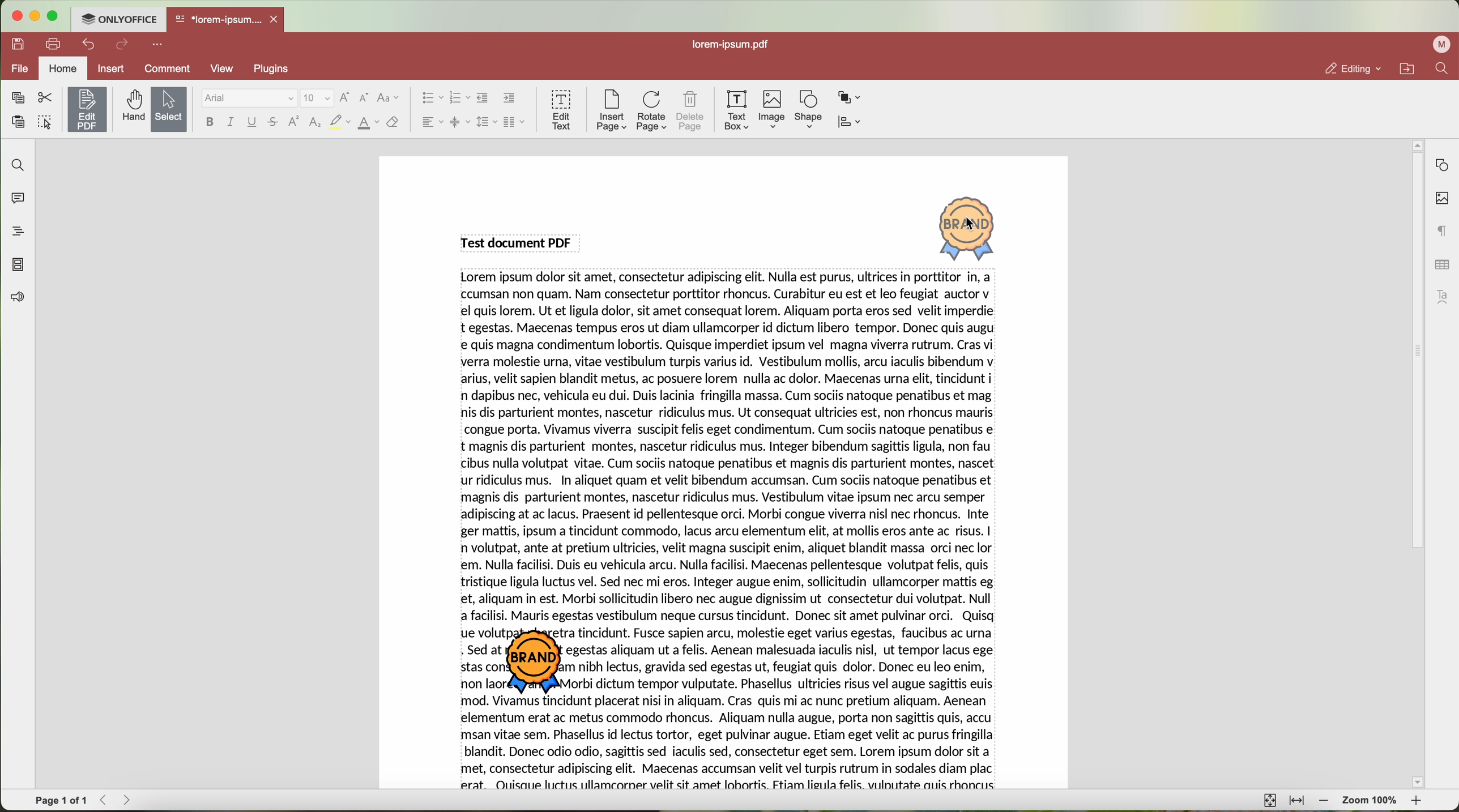  Describe the element at coordinates (90, 44) in the screenshot. I see `undo` at that location.